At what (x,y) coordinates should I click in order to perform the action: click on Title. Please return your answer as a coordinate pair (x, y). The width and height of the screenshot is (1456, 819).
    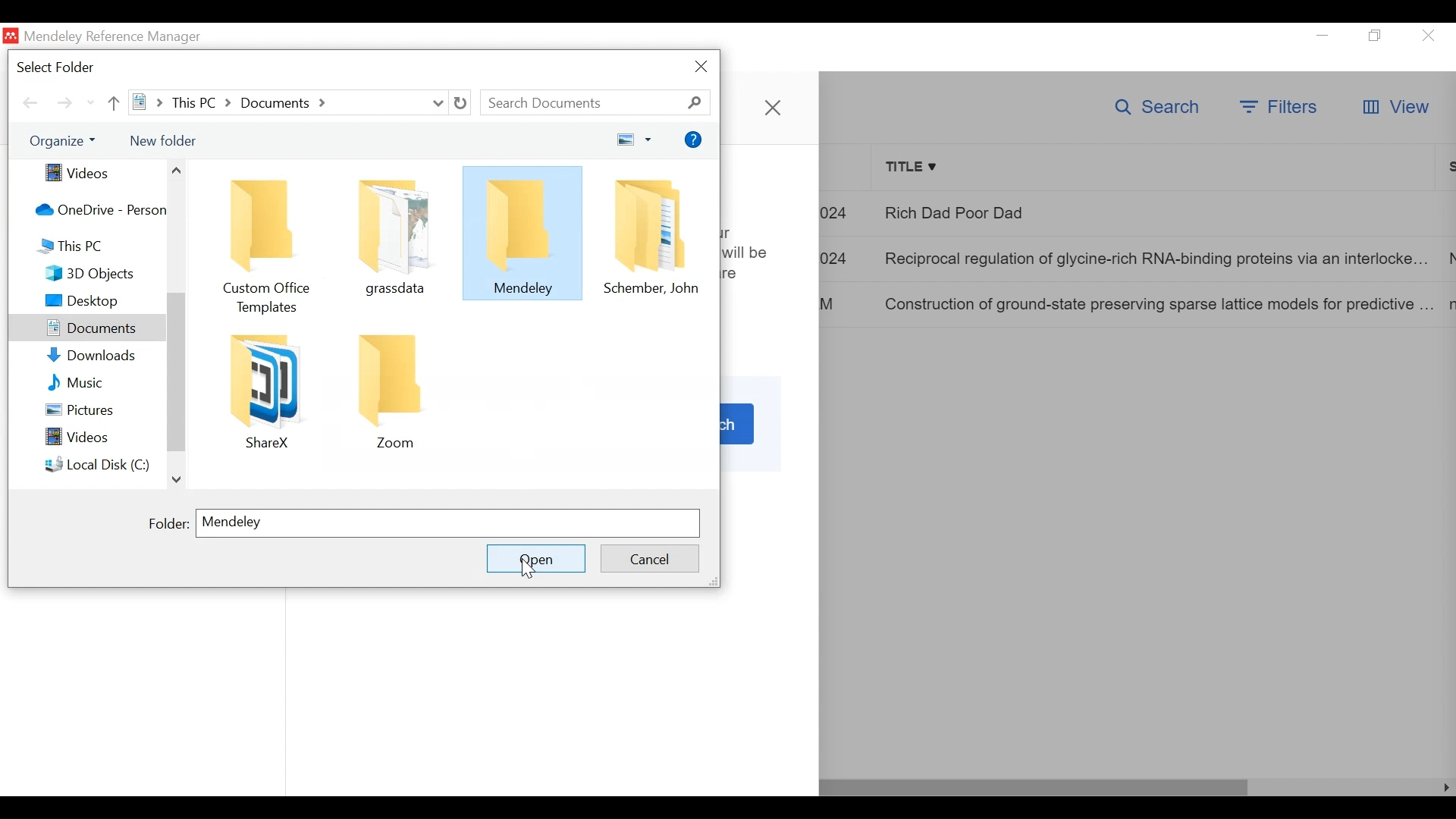
    Looking at the image, I should click on (1157, 168).